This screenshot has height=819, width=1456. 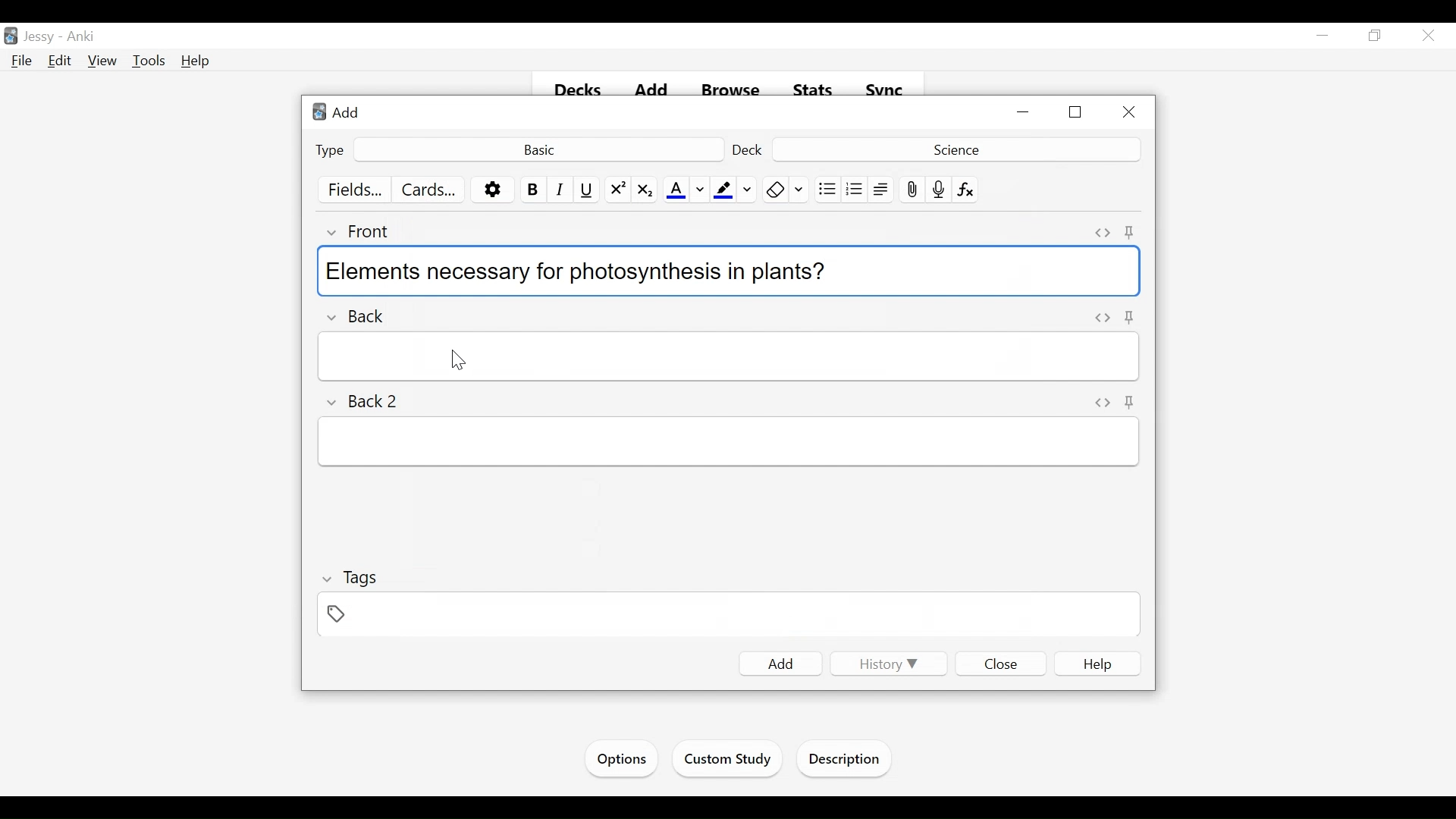 What do you see at coordinates (1077, 113) in the screenshot?
I see `Restore` at bounding box center [1077, 113].